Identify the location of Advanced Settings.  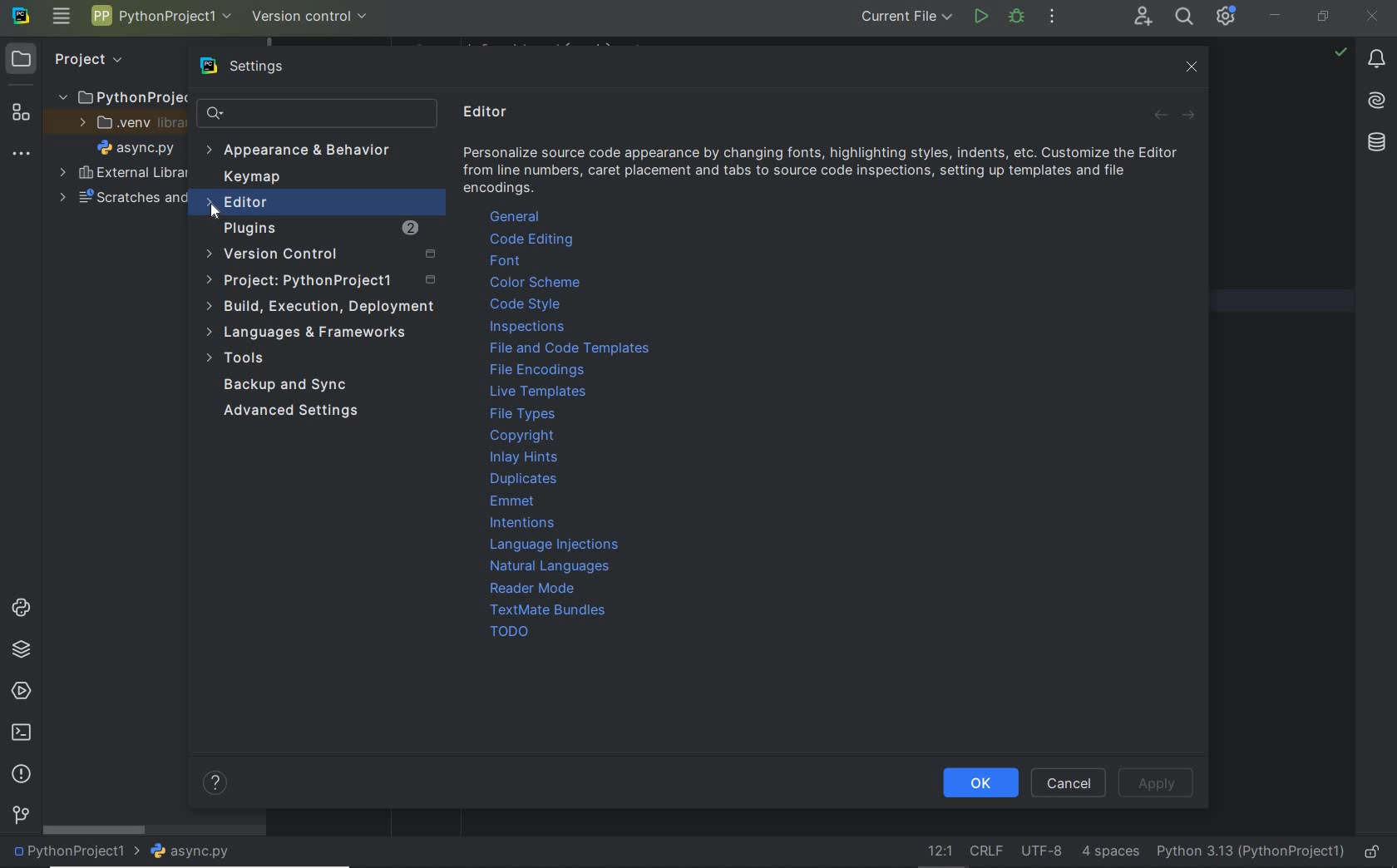
(293, 411).